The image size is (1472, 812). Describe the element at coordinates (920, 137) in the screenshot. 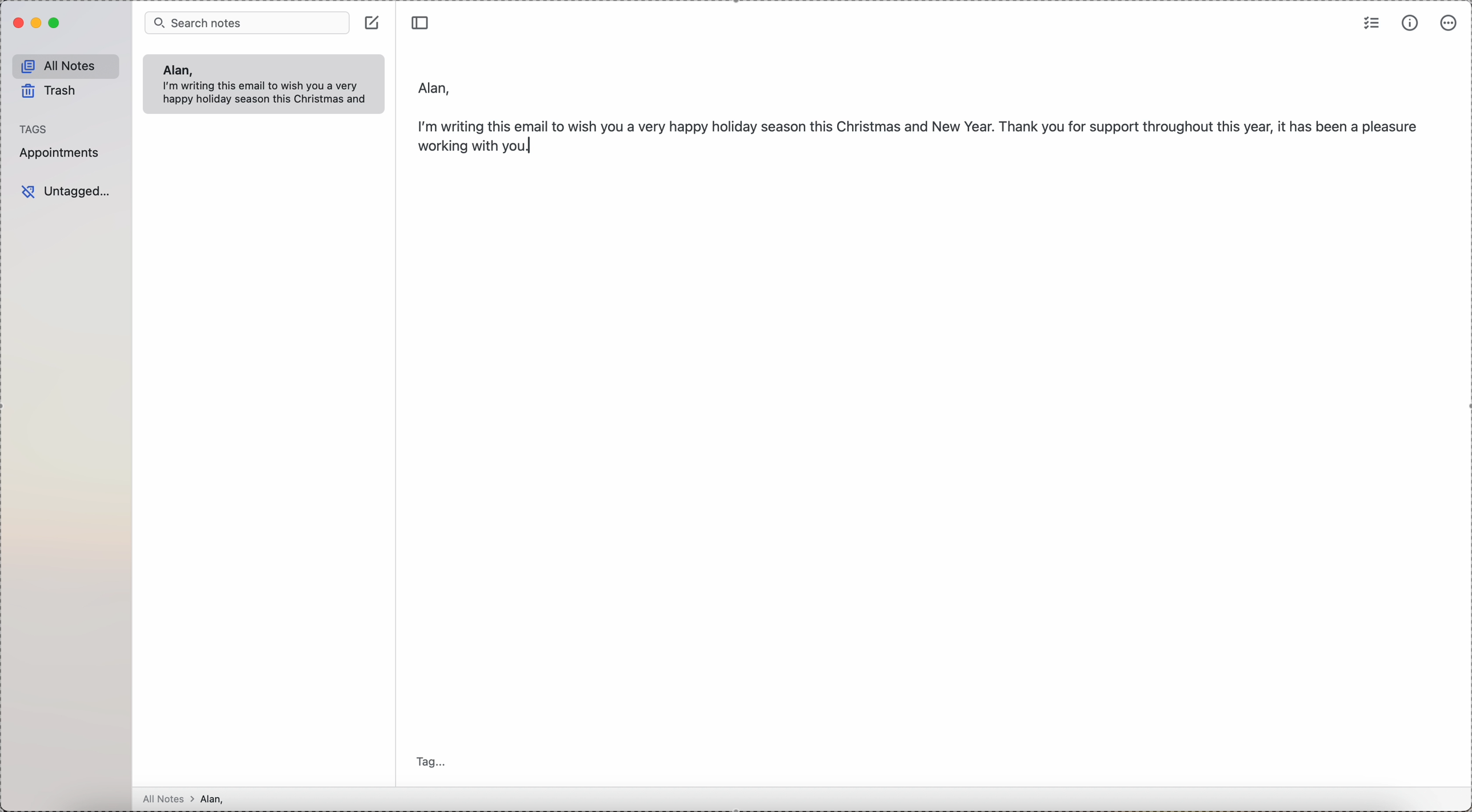

I see `body text: I'm writing this email to wish yo a very happy holiday season this Christmas and New Year. Thank you for support...` at that location.